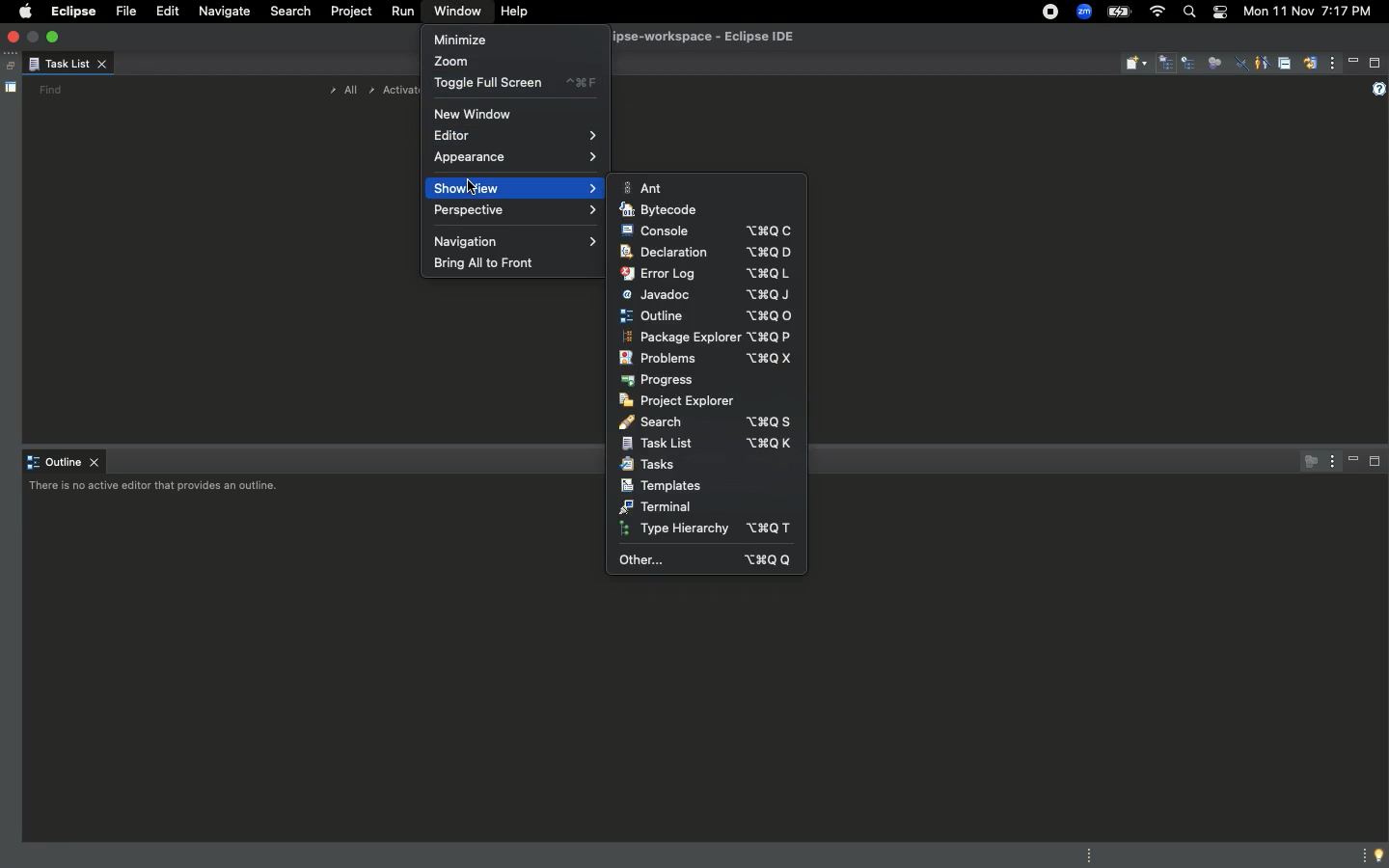 This screenshot has width=1389, height=868. I want to click on There is no active editor, so click(157, 489).